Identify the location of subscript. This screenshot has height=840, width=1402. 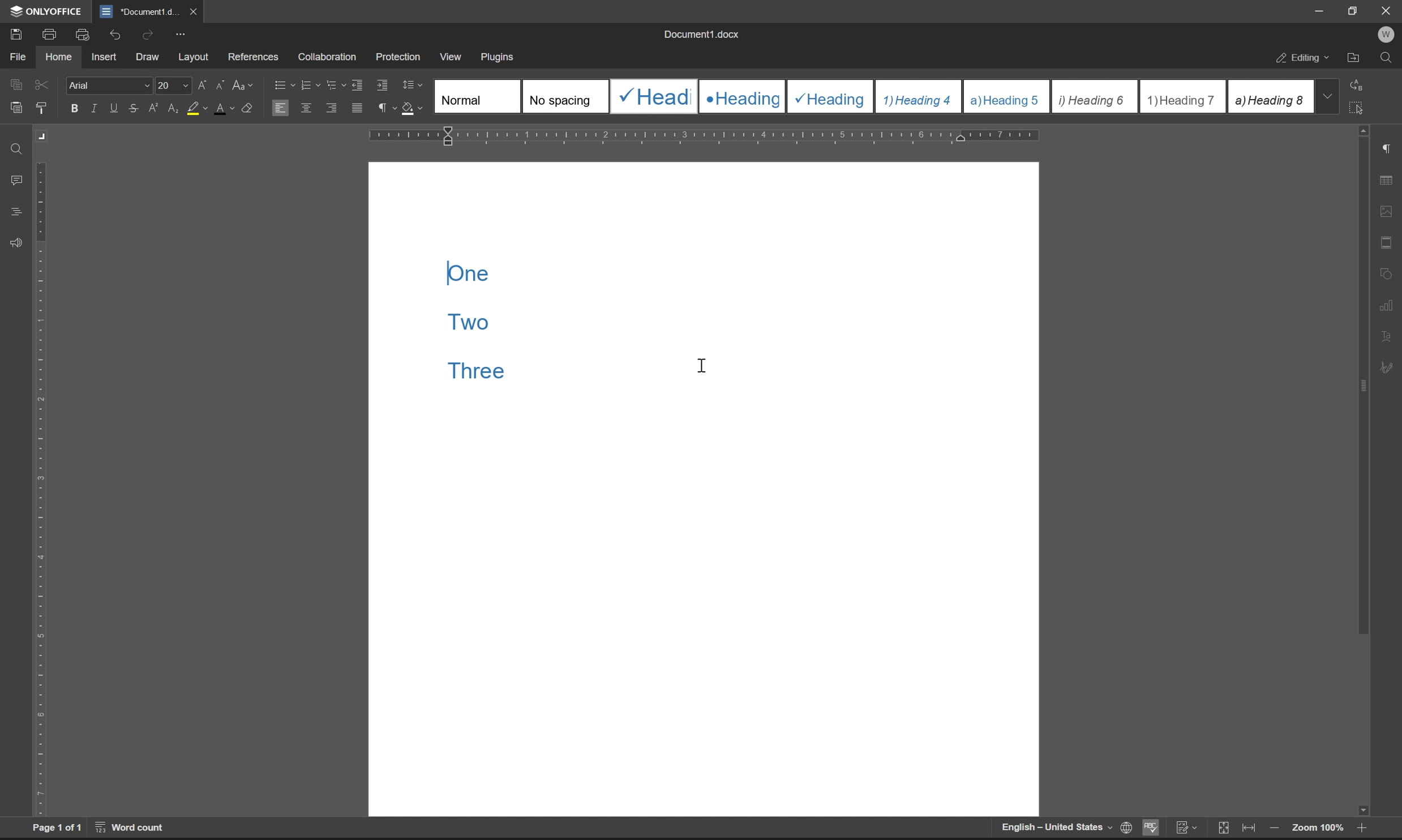
(174, 106).